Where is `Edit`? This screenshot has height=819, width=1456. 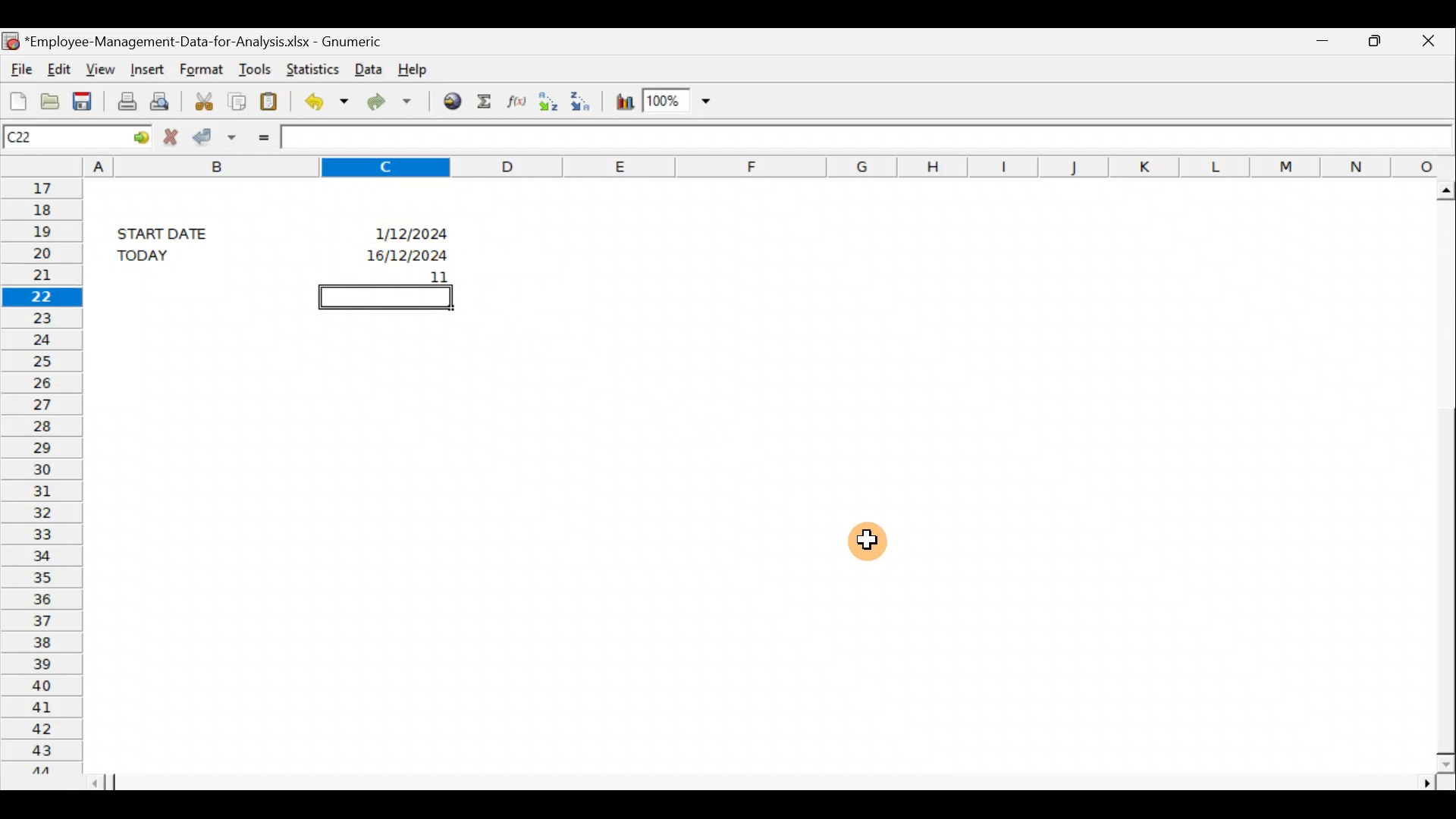 Edit is located at coordinates (61, 69).